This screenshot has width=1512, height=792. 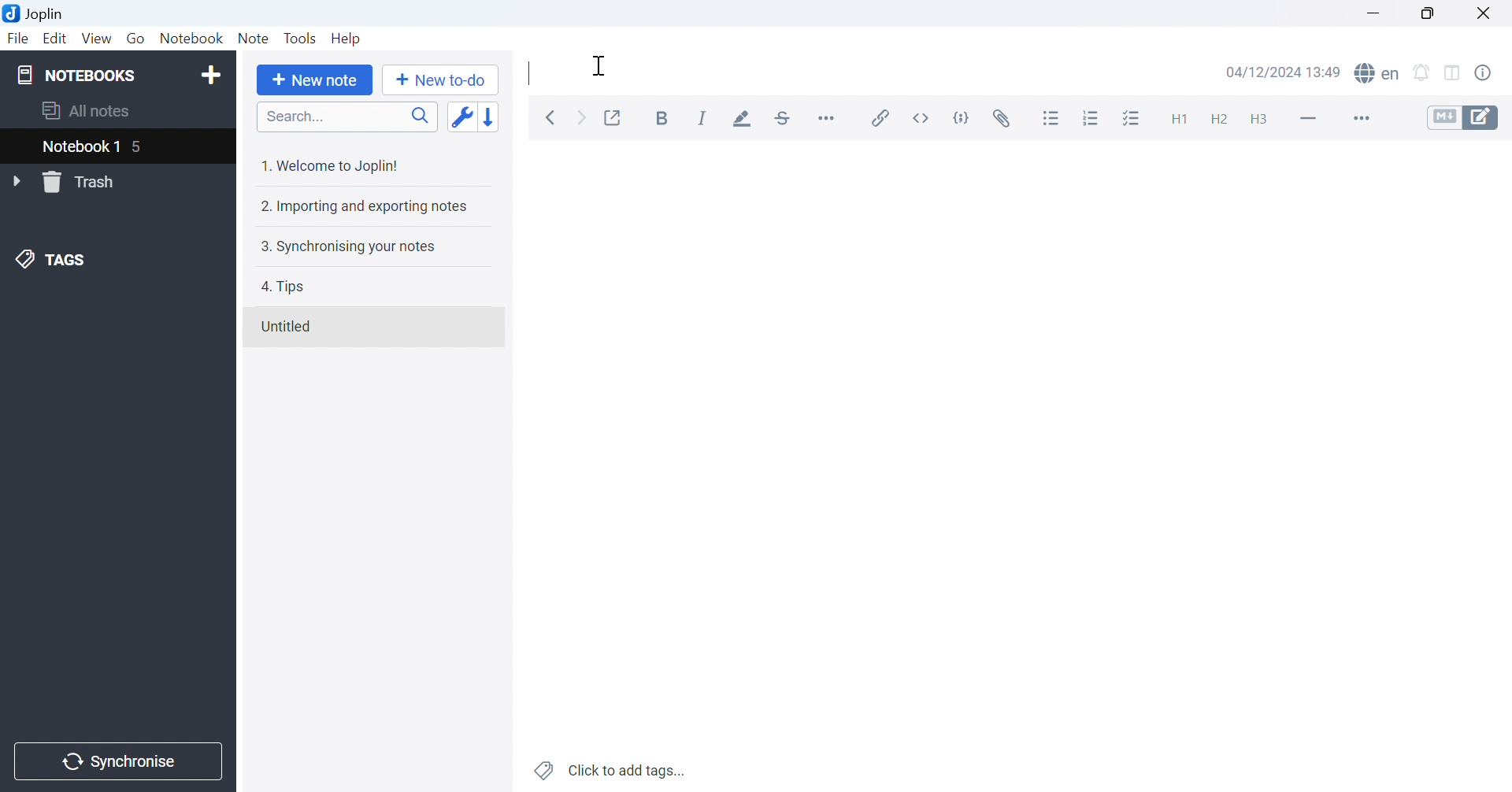 What do you see at coordinates (350, 39) in the screenshot?
I see `Help` at bounding box center [350, 39].